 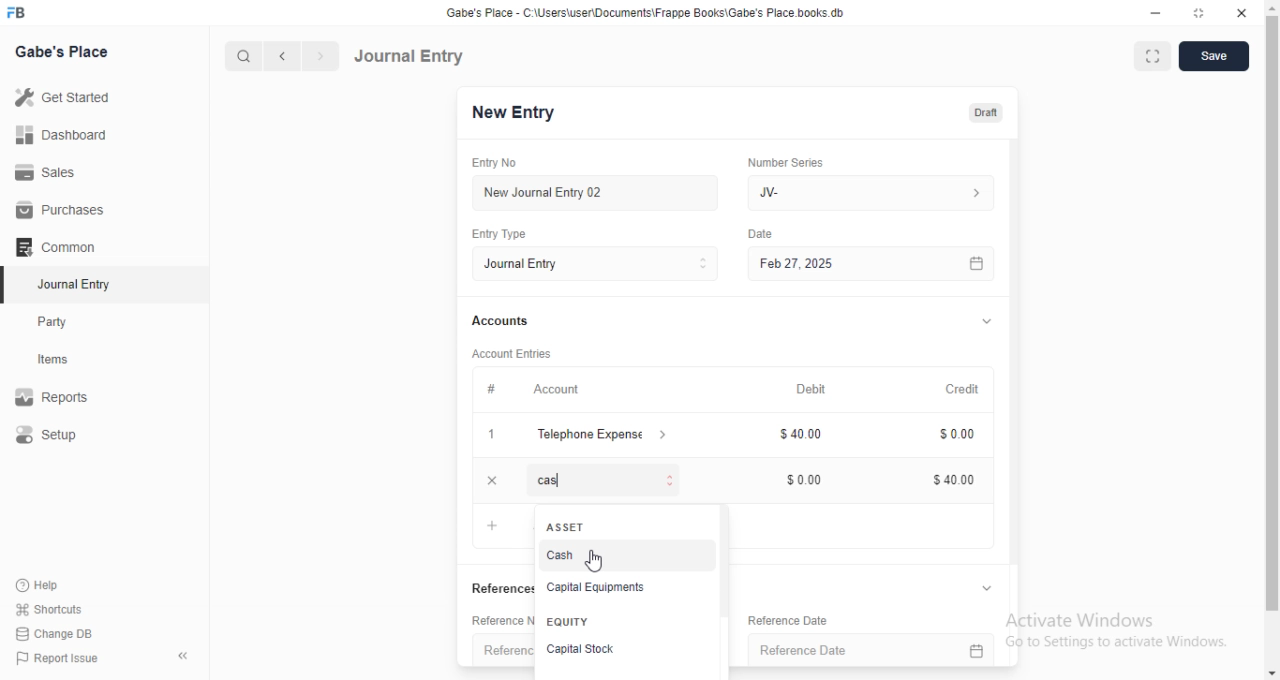 I want to click on Entry Type, so click(x=507, y=235).